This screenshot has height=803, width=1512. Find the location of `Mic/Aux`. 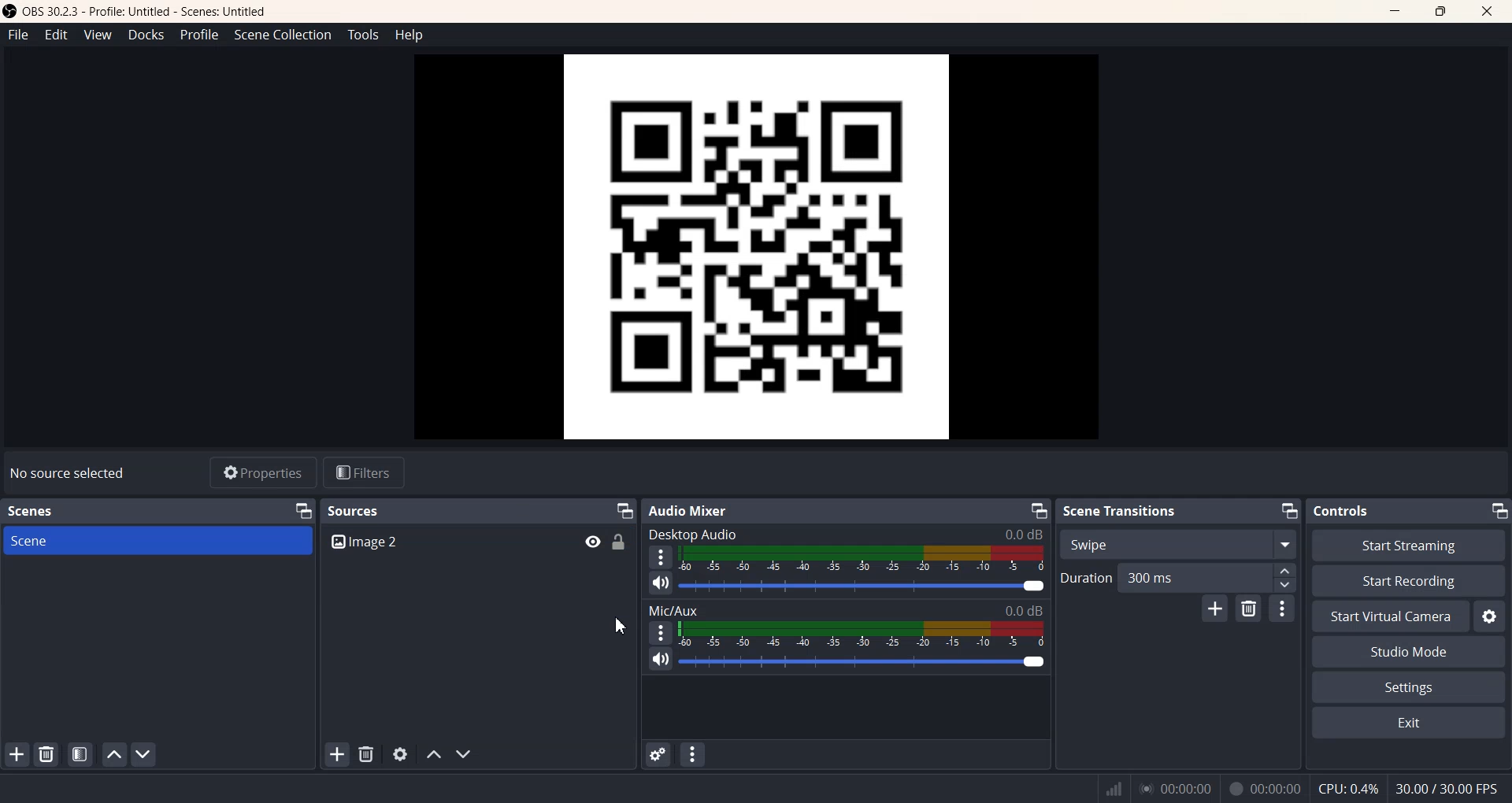

Mic/Aux is located at coordinates (843, 609).